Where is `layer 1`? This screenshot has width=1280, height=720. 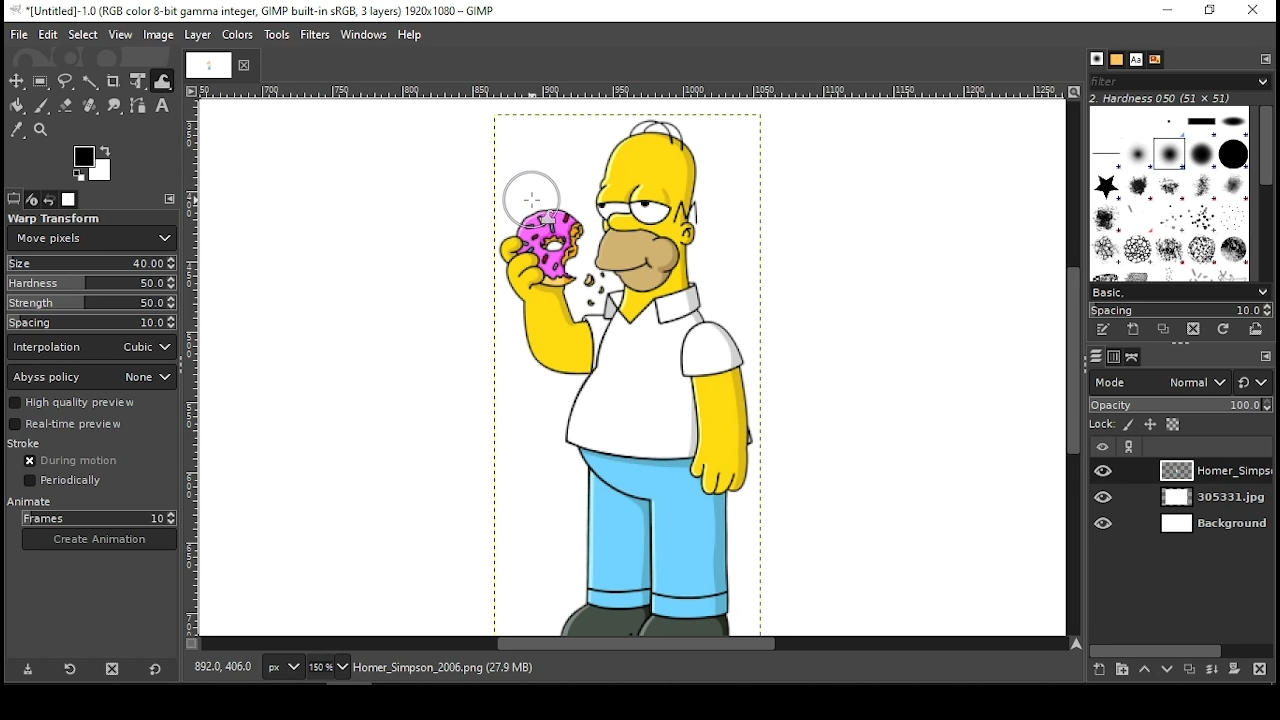 layer 1 is located at coordinates (1214, 471).